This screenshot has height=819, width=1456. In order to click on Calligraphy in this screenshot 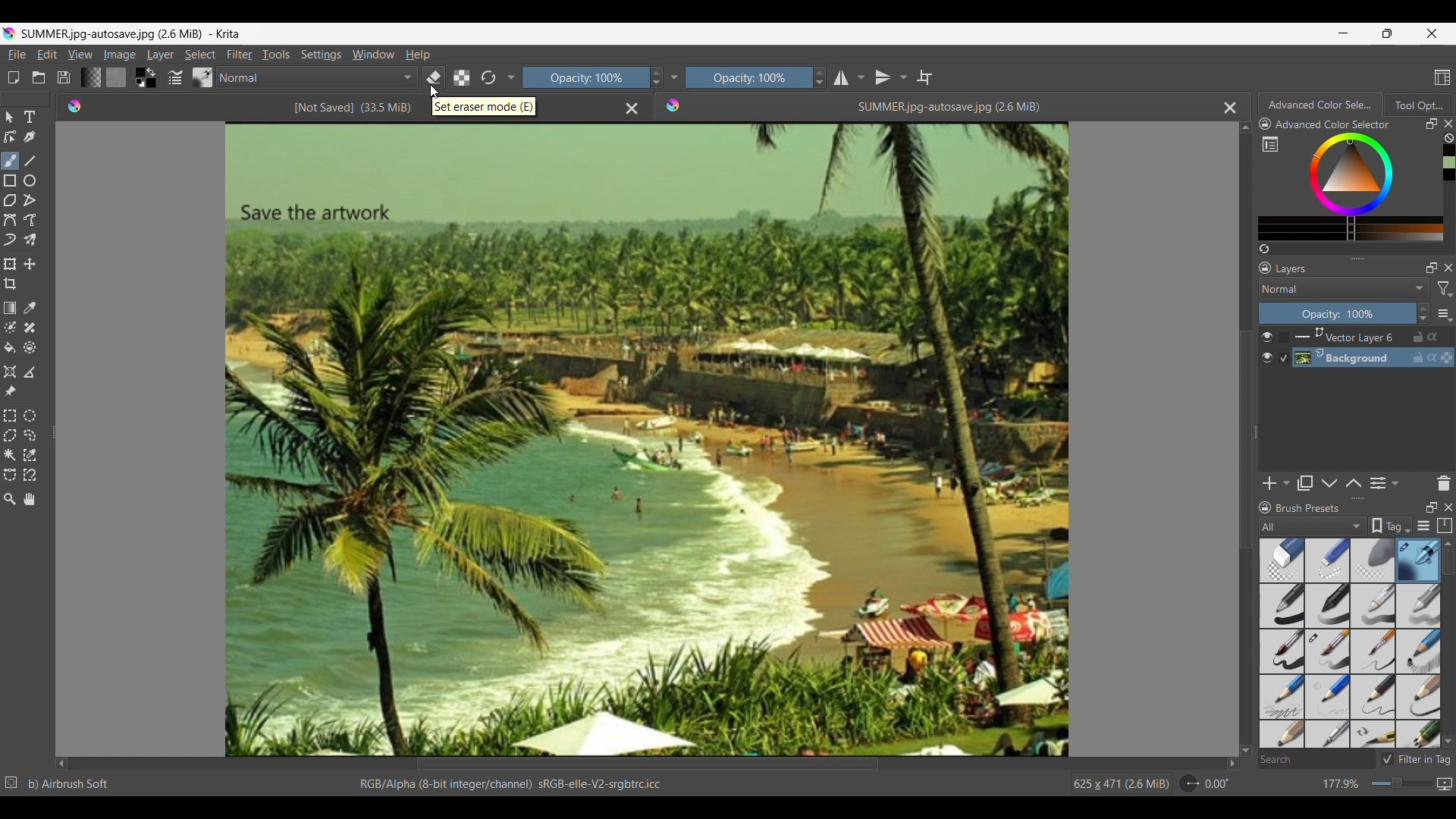, I will do `click(30, 137)`.